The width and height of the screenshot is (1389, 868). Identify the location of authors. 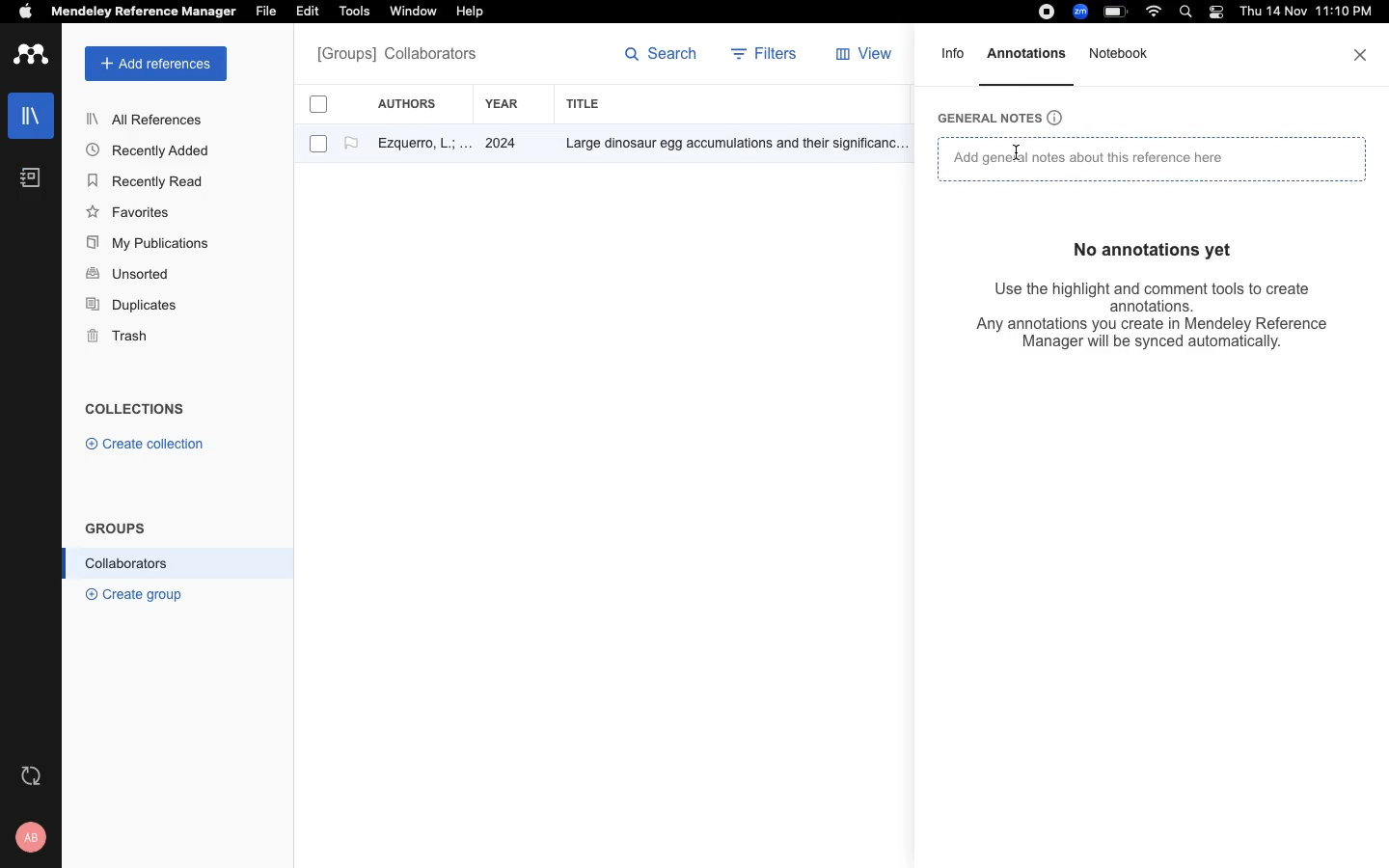
(418, 103).